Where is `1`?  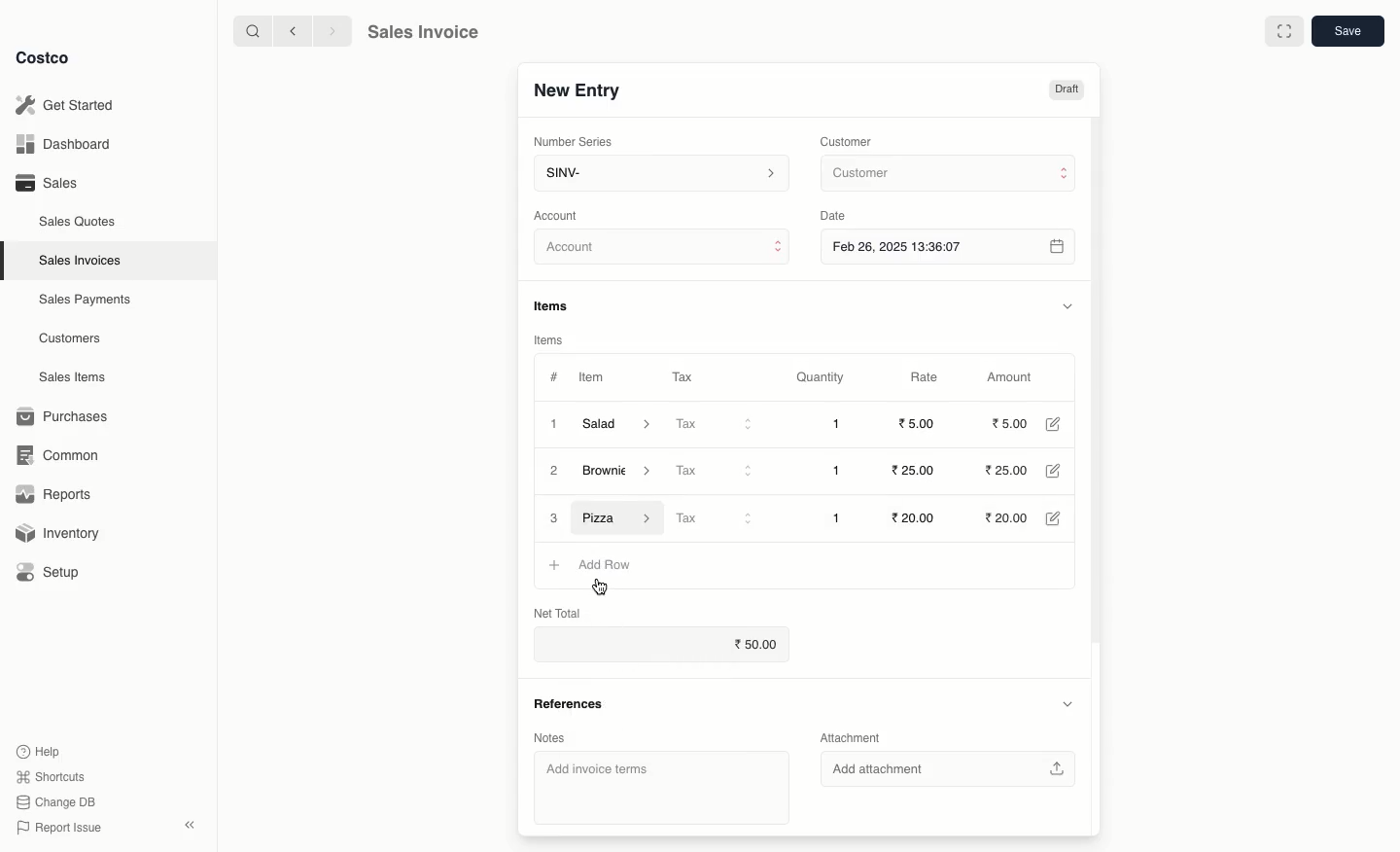 1 is located at coordinates (837, 519).